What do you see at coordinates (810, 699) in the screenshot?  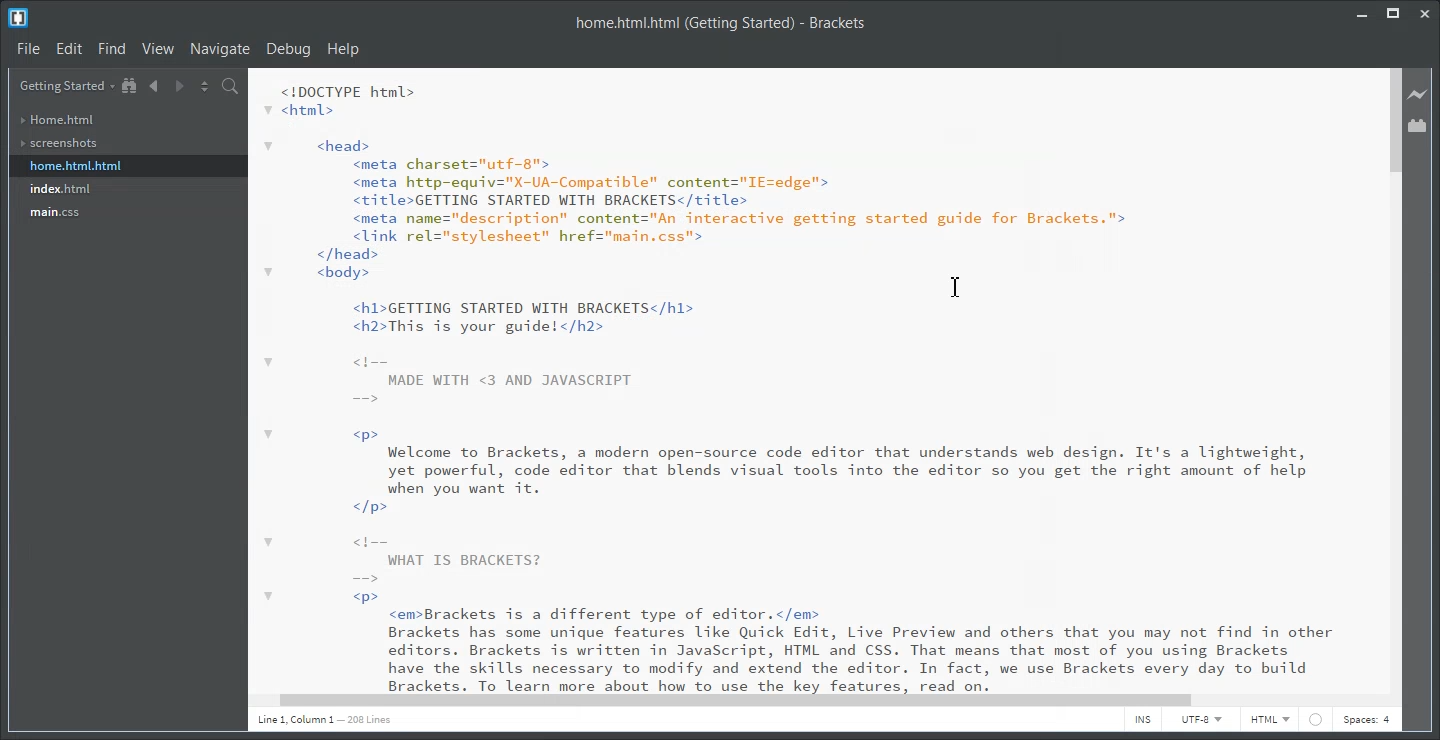 I see `Horizontal Scroll bar ` at bounding box center [810, 699].